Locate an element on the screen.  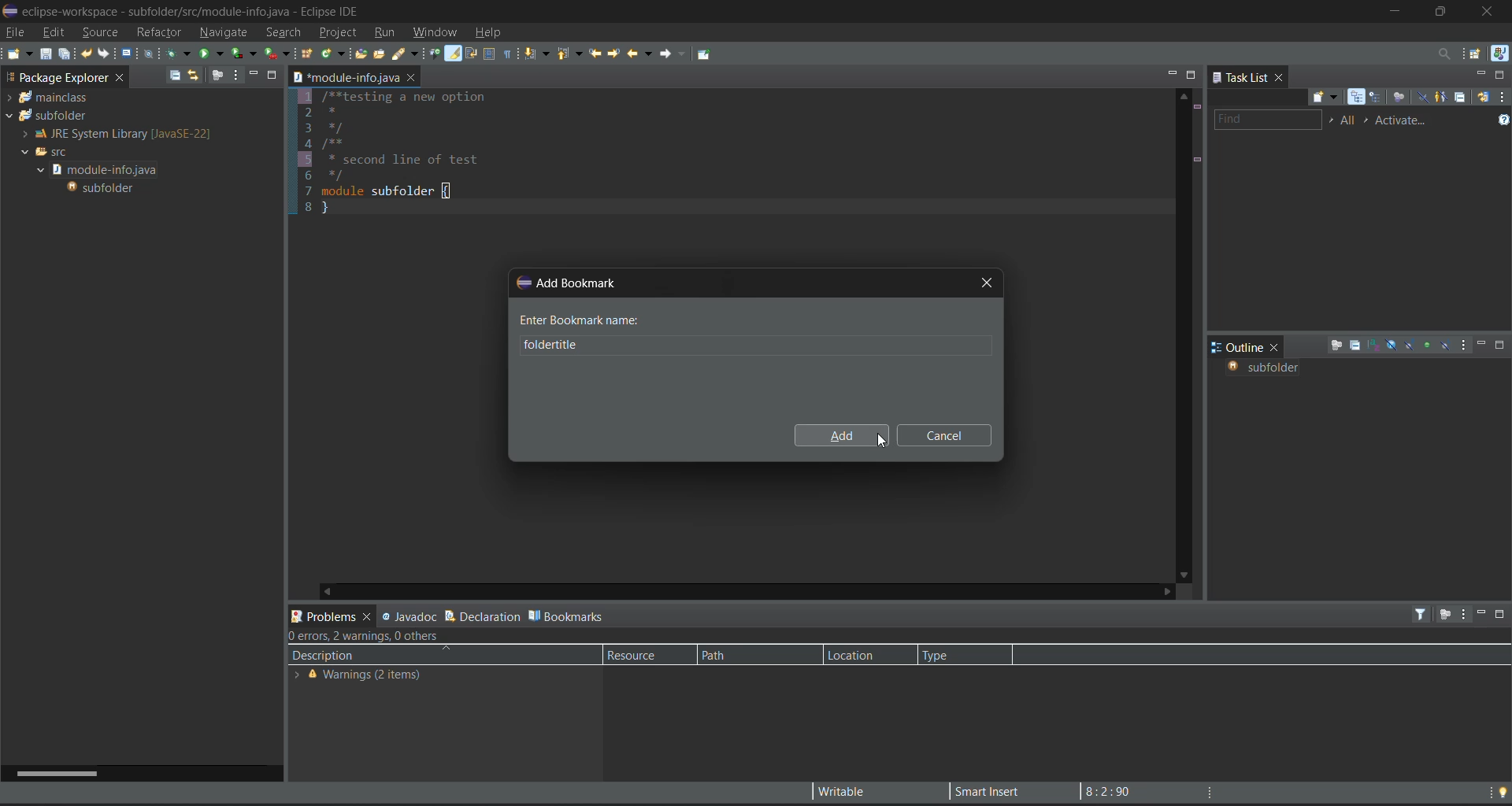
tip of the day is located at coordinates (1503, 791).